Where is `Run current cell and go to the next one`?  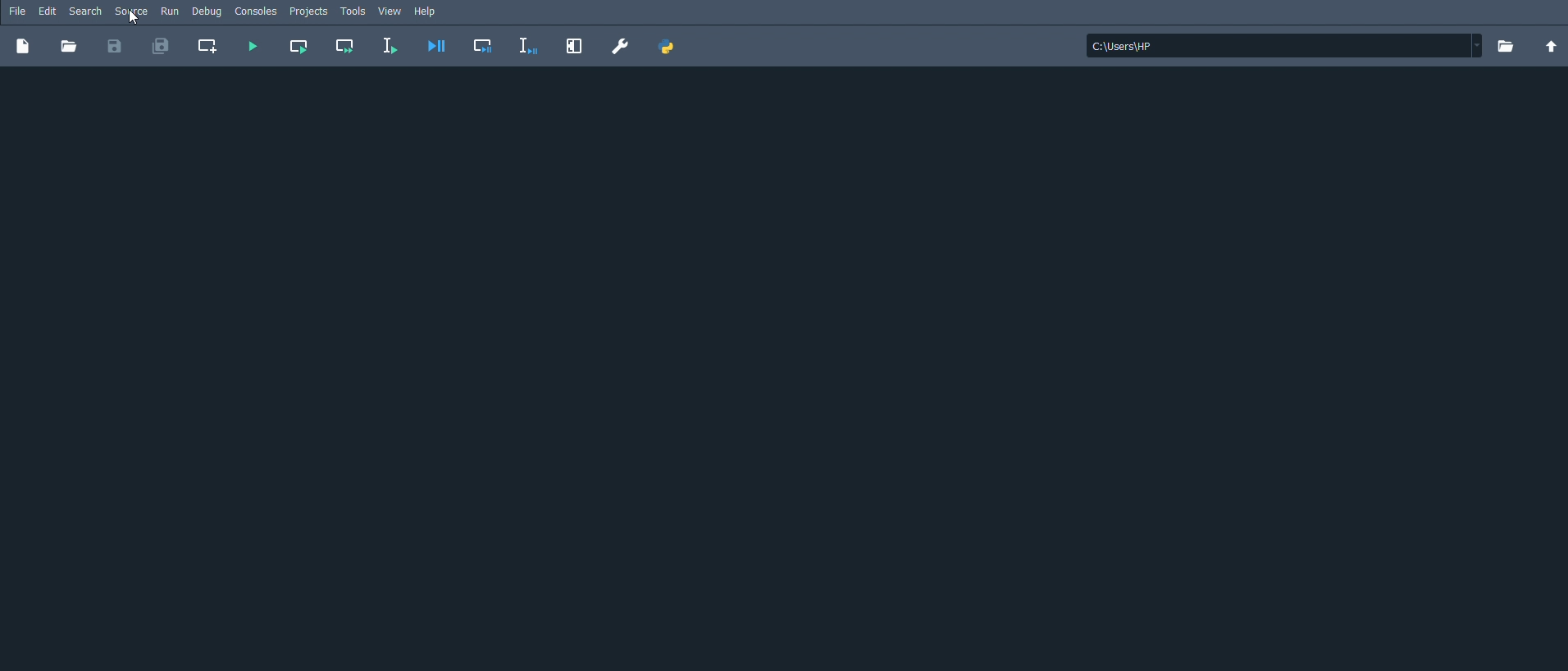 Run current cell and go to the next one is located at coordinates (344, 47).